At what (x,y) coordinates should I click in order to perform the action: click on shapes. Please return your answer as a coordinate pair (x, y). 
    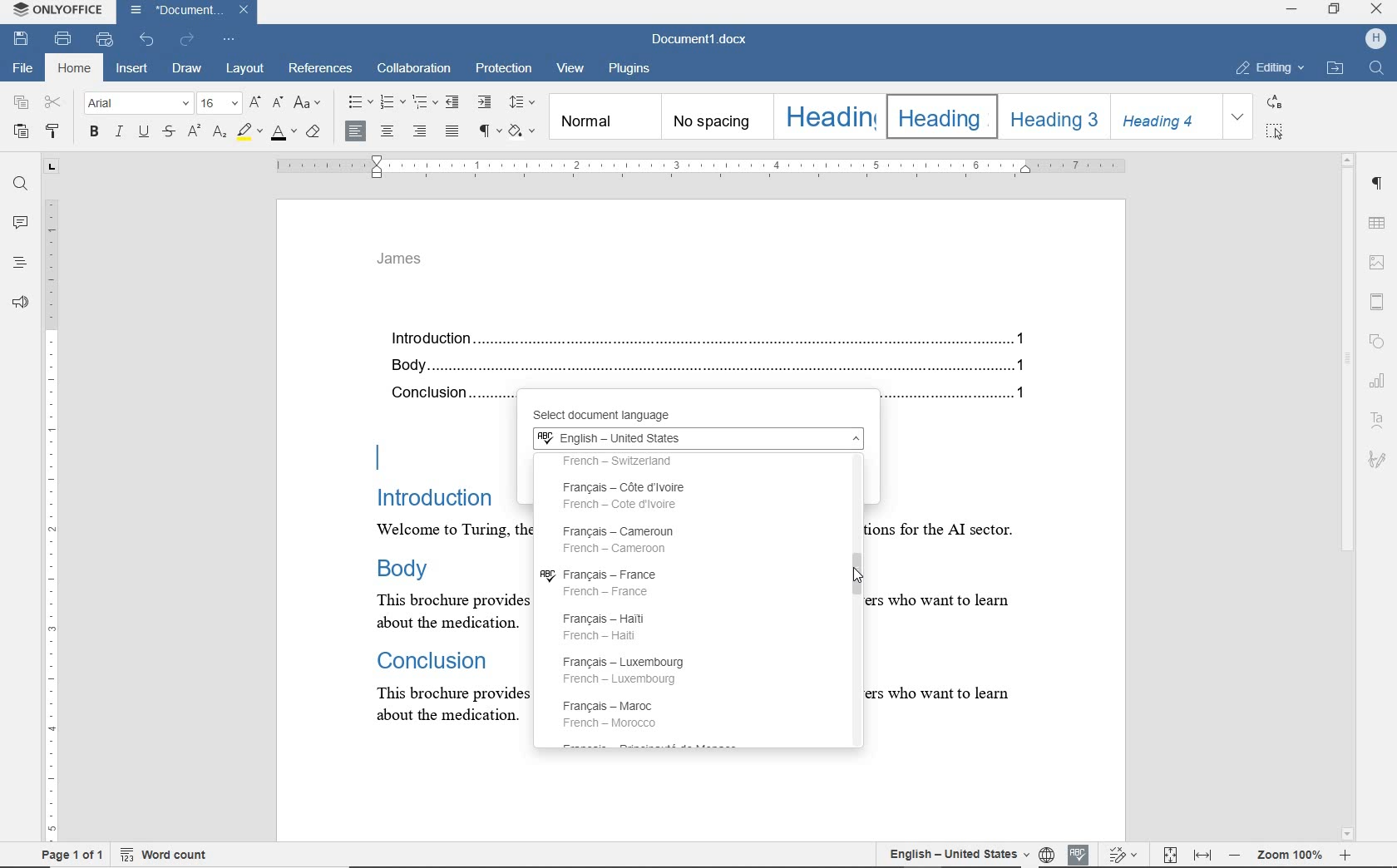
    Looking at the image, I should click on (1380, 343).